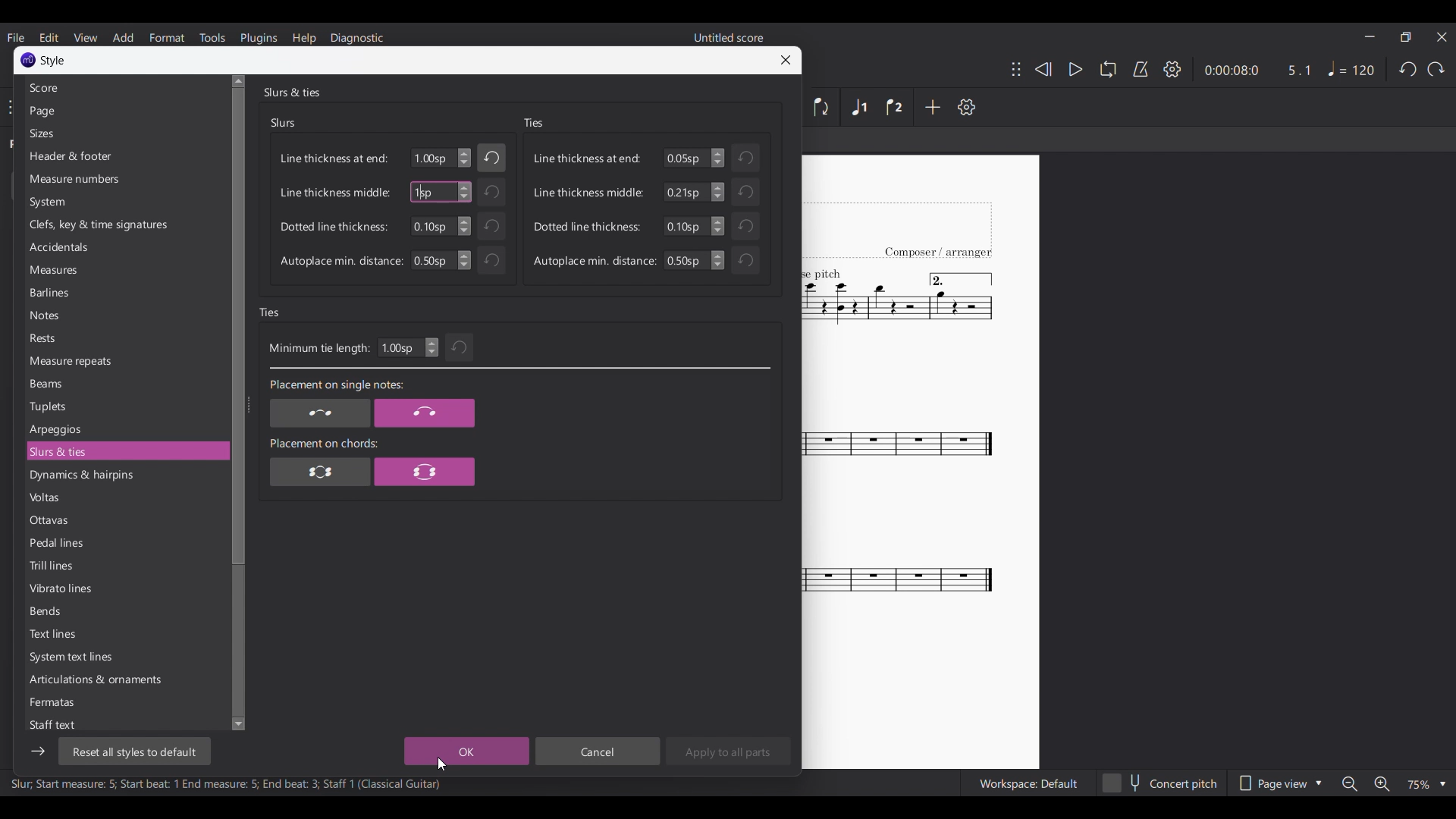 The width and height of the screenshot is (1456, 819). I want to click on Zoom in, so click(1380, 783).